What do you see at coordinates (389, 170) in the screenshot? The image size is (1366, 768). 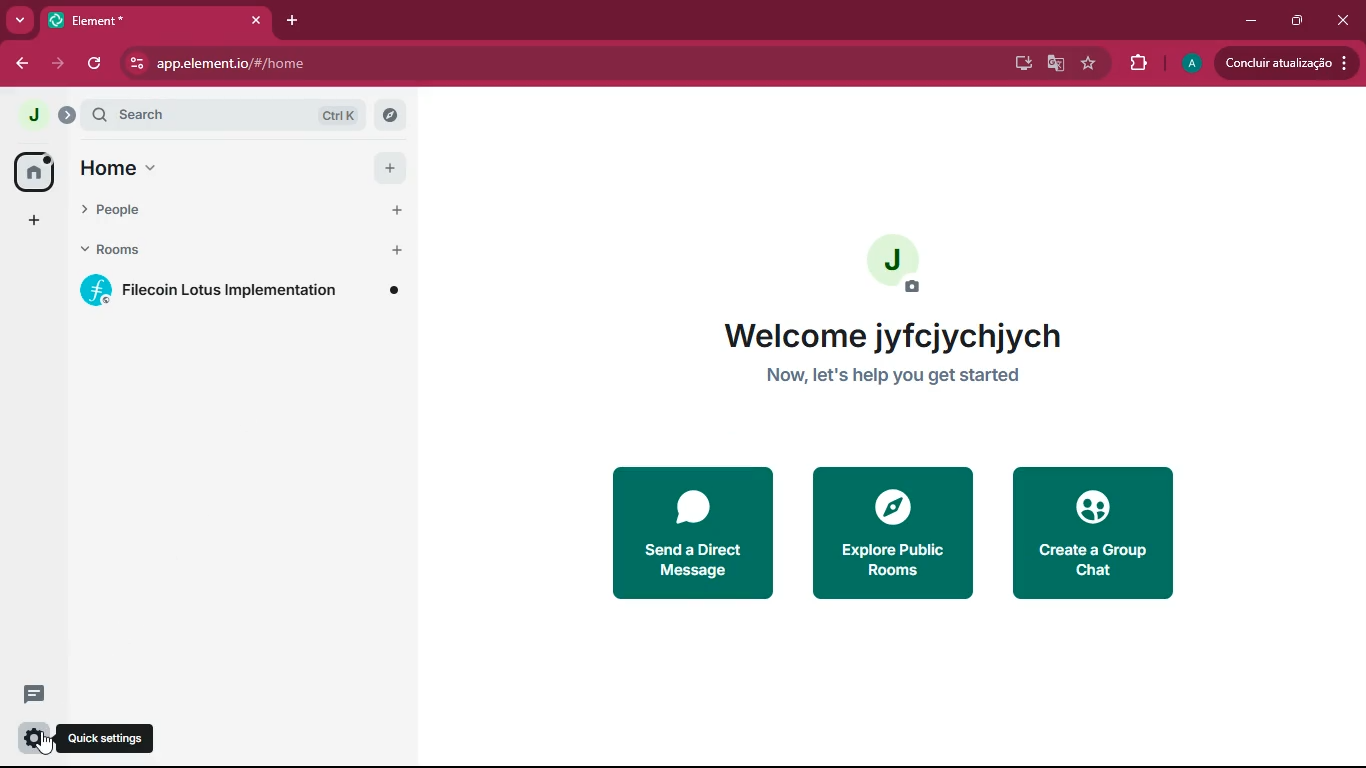 I see `add button` at bounding box center [389, 170].